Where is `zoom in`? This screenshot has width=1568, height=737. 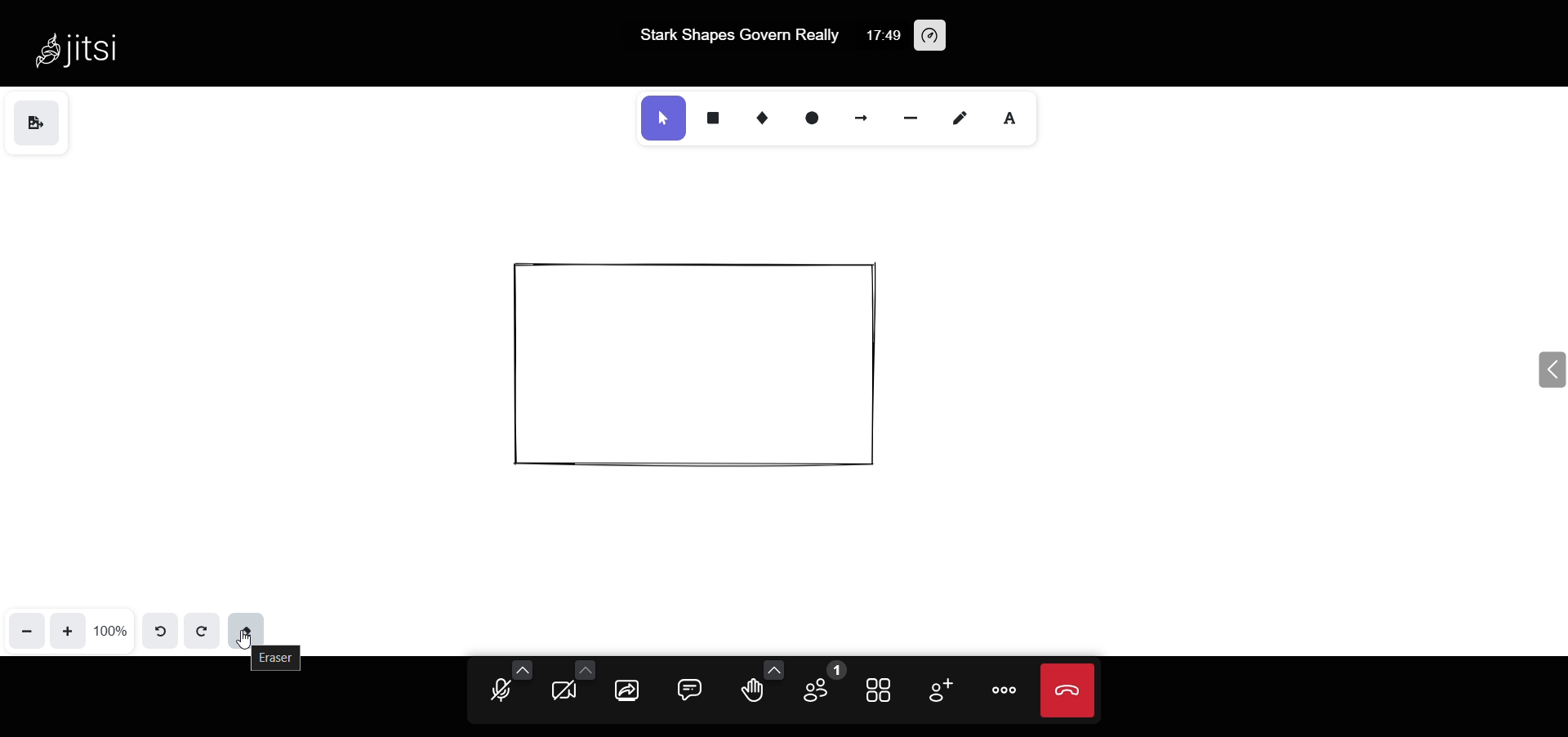
zoom in is located at coordinates (68, 629).